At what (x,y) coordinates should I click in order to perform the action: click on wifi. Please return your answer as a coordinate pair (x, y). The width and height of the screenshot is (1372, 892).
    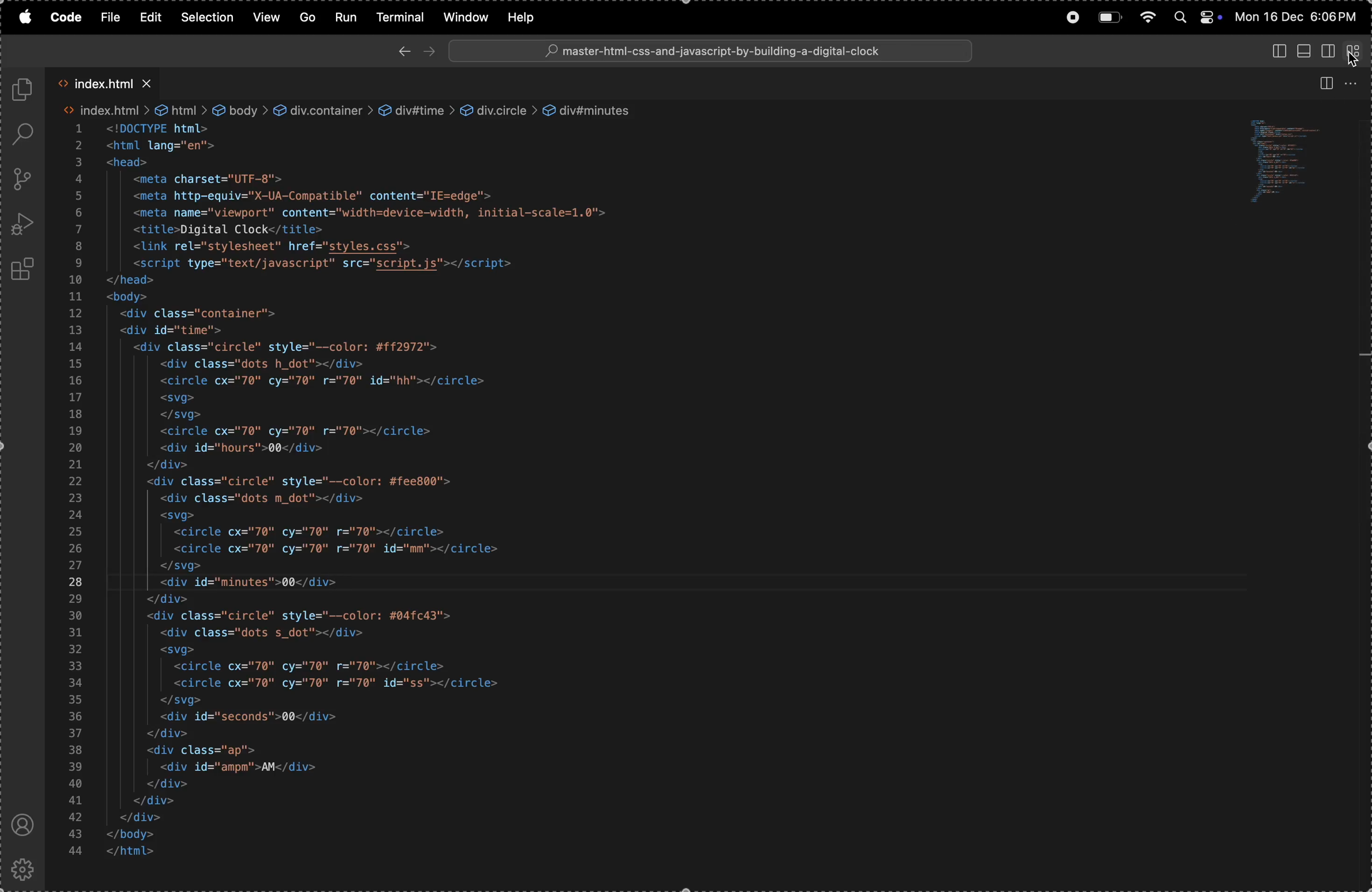
    Looking at the image, I should click on (1146, 16).